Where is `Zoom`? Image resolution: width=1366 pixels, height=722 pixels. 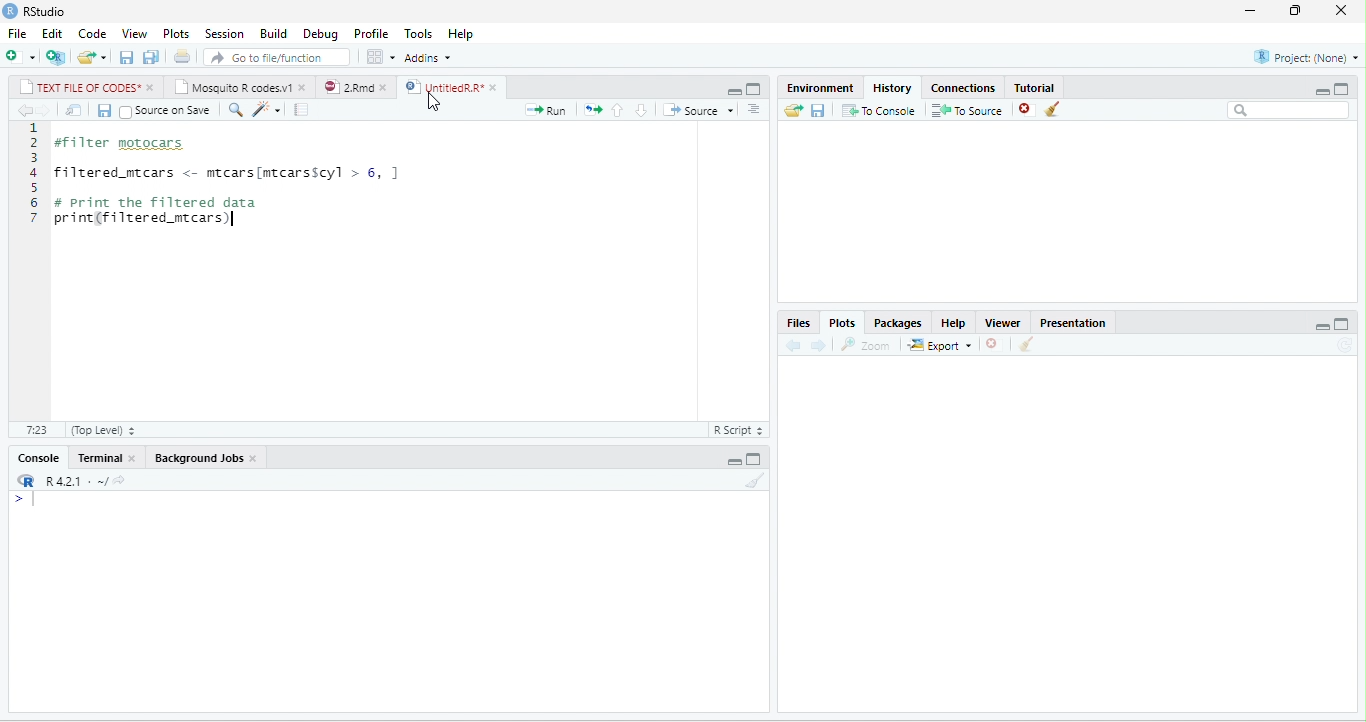 Zoom is located at coordinates (864, 345).